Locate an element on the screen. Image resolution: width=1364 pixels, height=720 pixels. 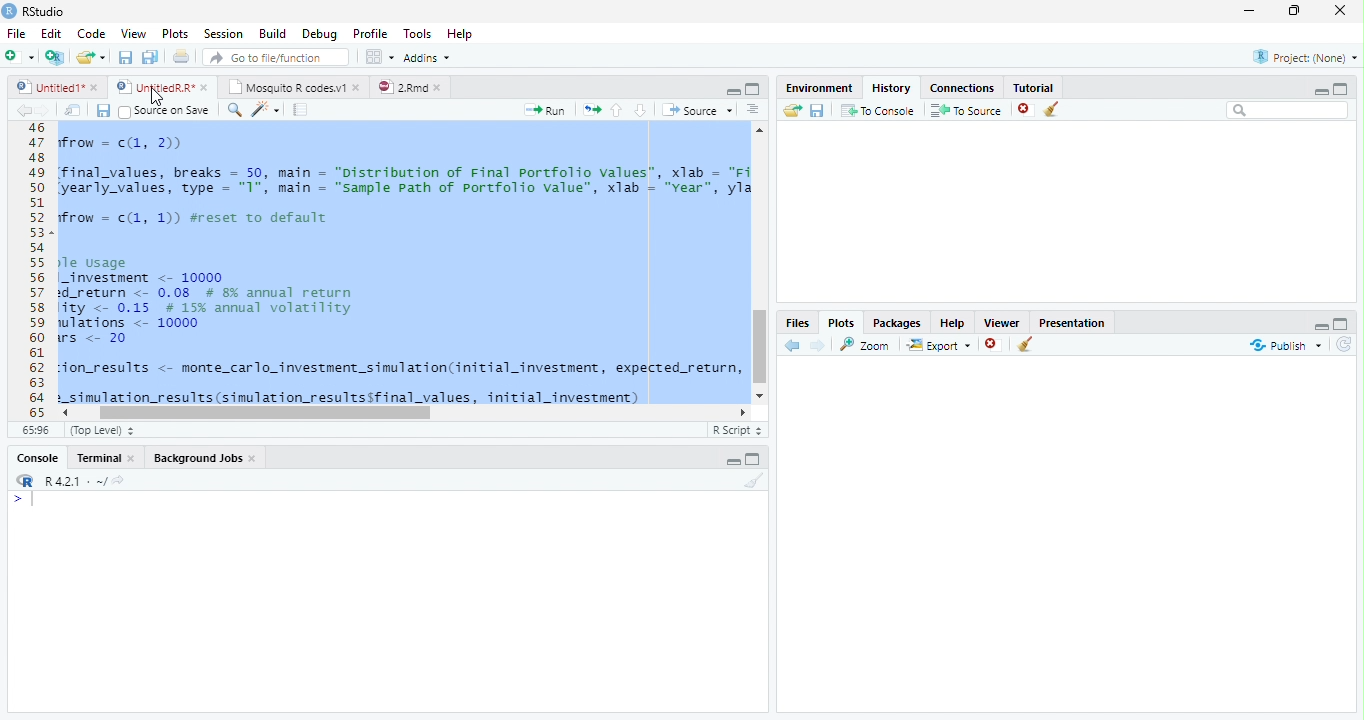
Code is located at coordinates (402, 264).